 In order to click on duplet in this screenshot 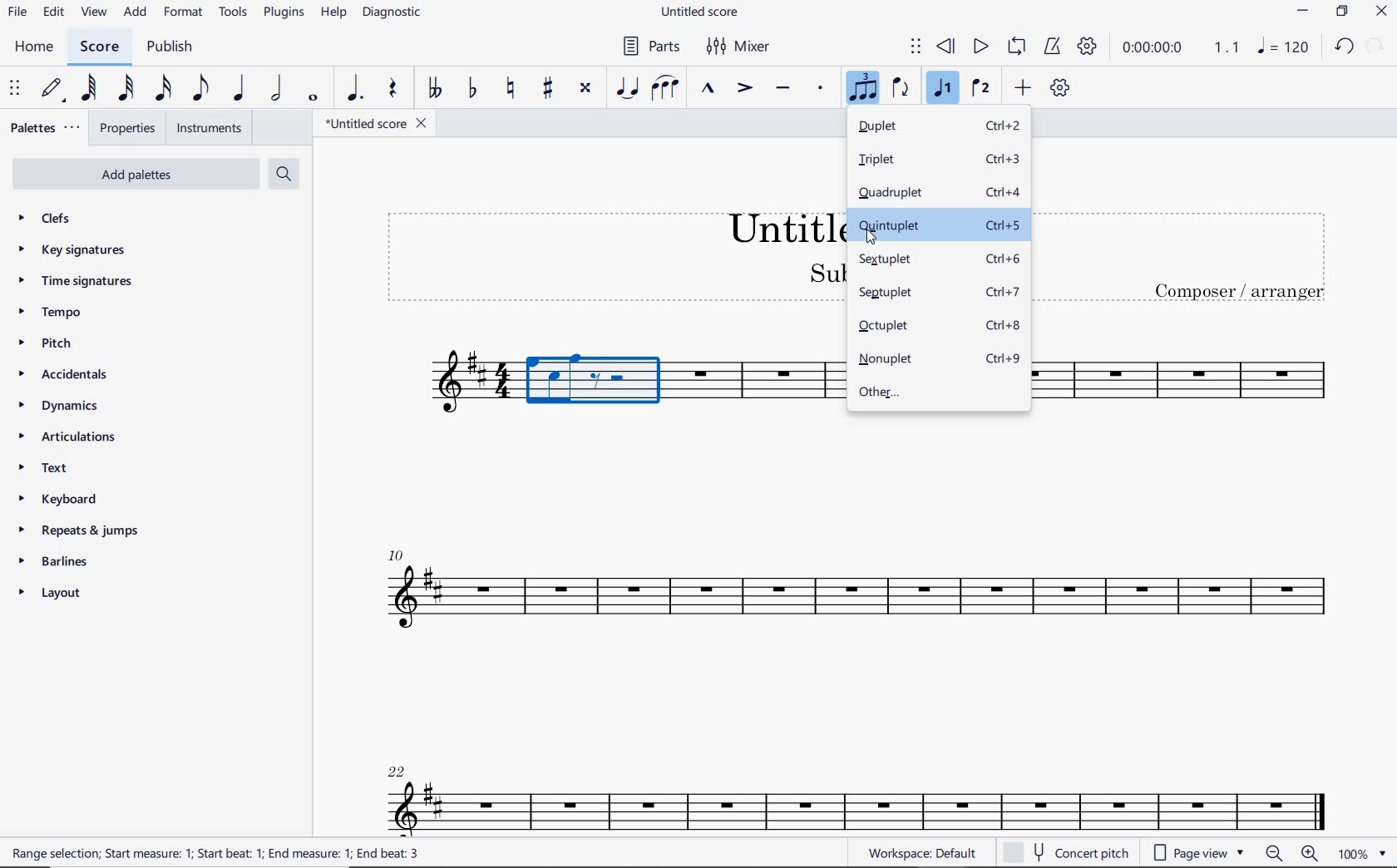, I will do `click(940, 127)`.